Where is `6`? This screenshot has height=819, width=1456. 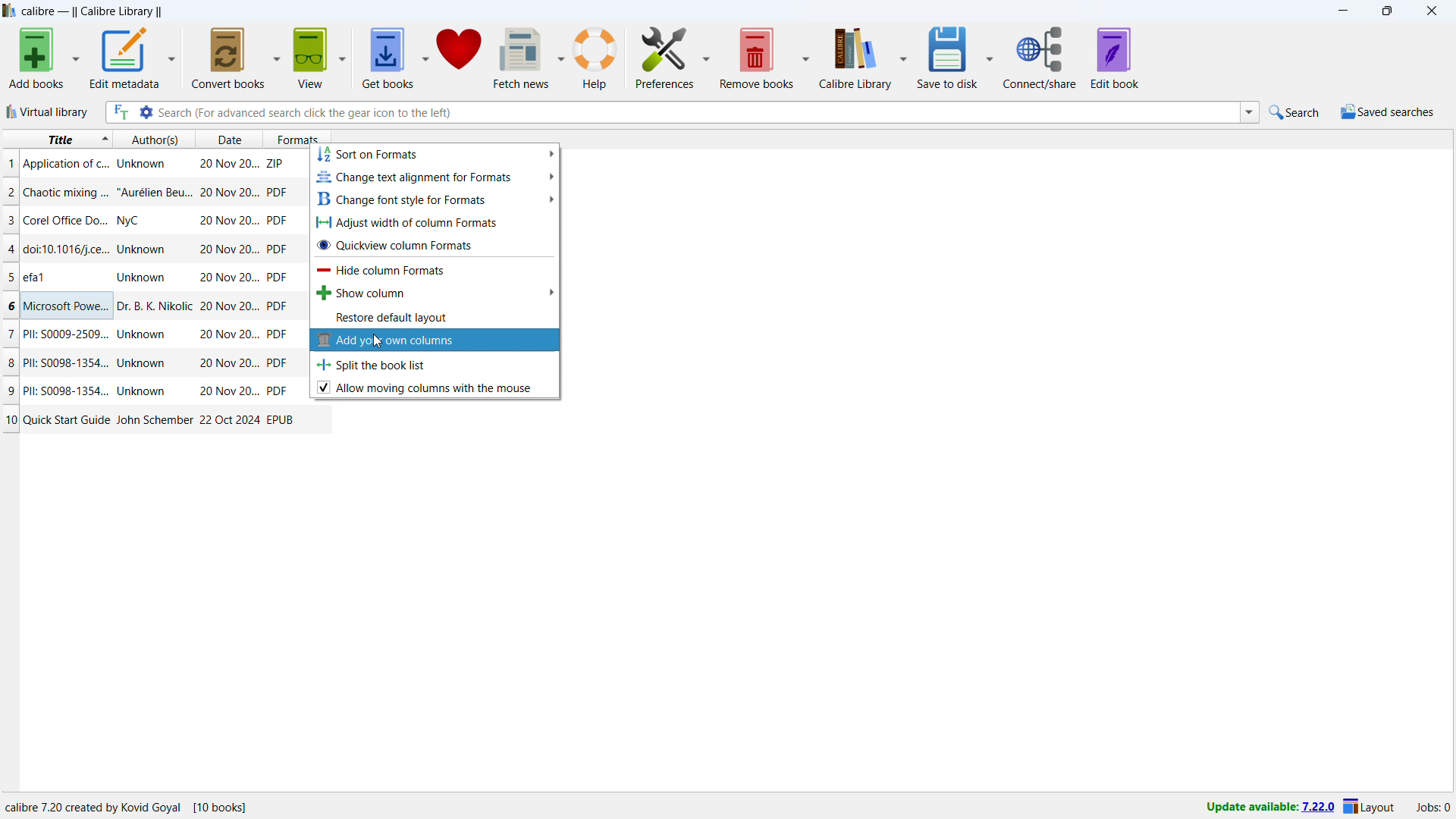 6 is located at coordinates (9, 306).